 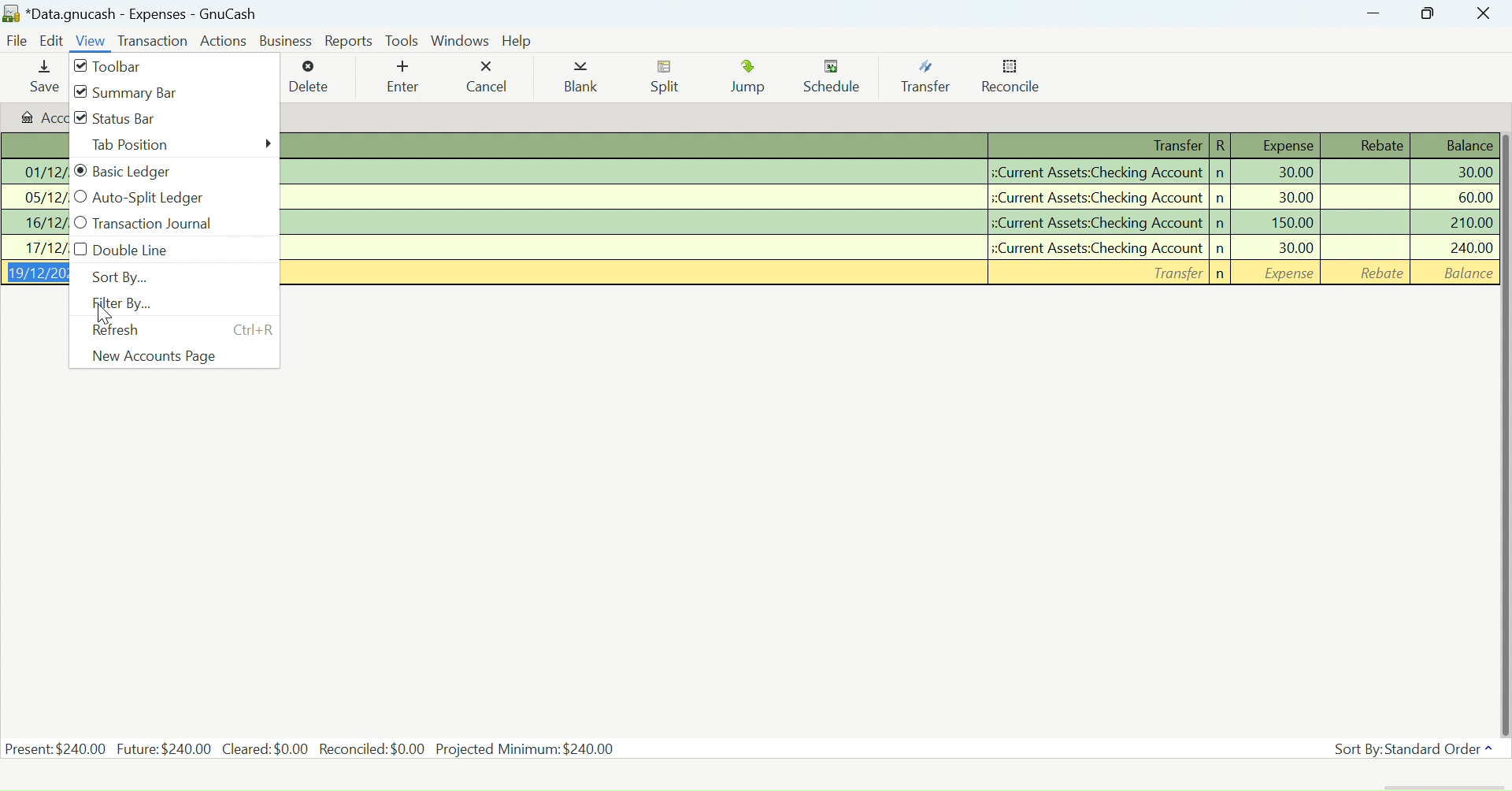 I want to click on Filter By, so click(x=160, y=305).